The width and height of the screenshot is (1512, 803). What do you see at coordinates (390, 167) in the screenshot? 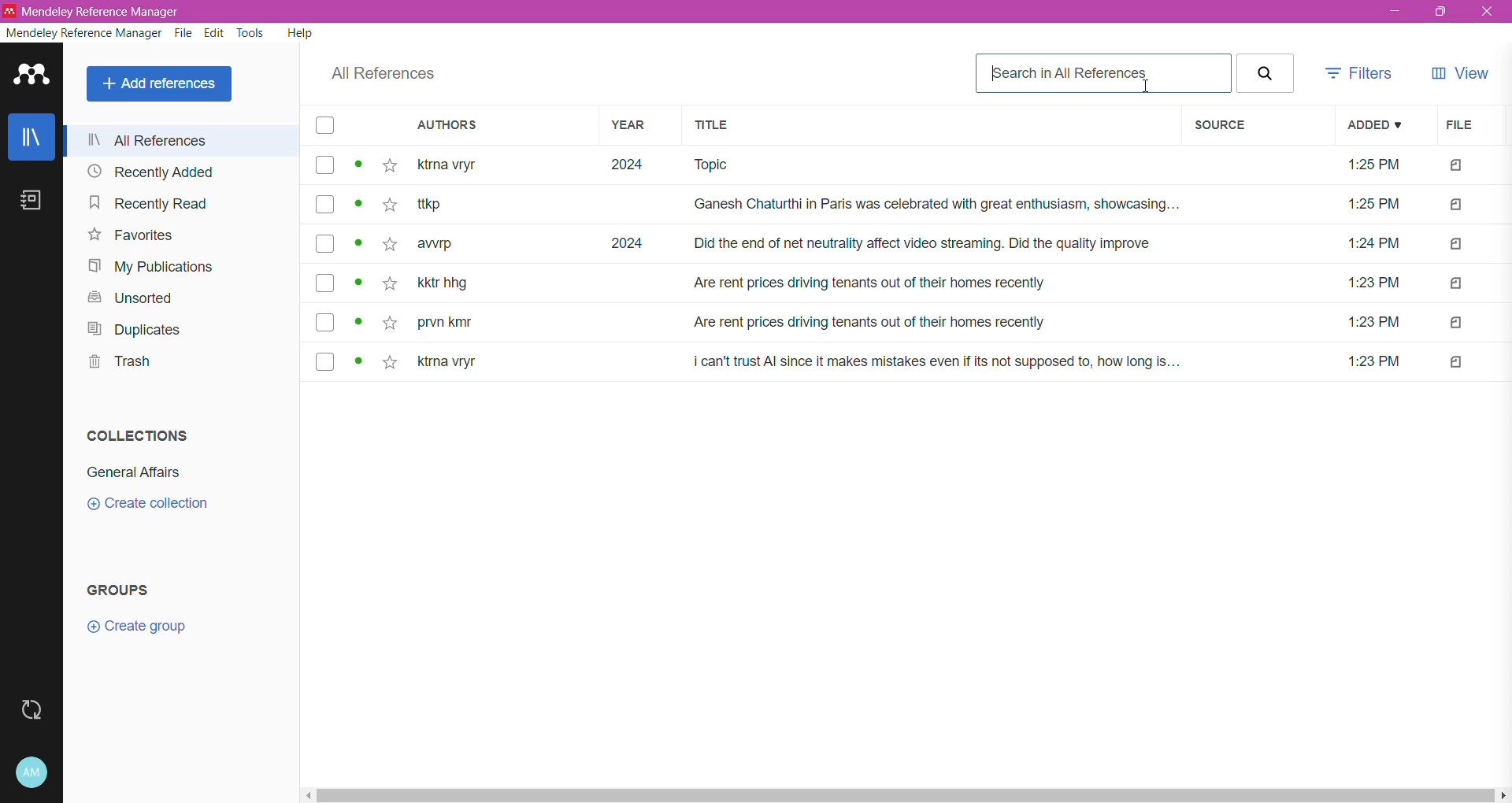
I see `Click to add the reference to favorites` at bounding box center [390, 167].